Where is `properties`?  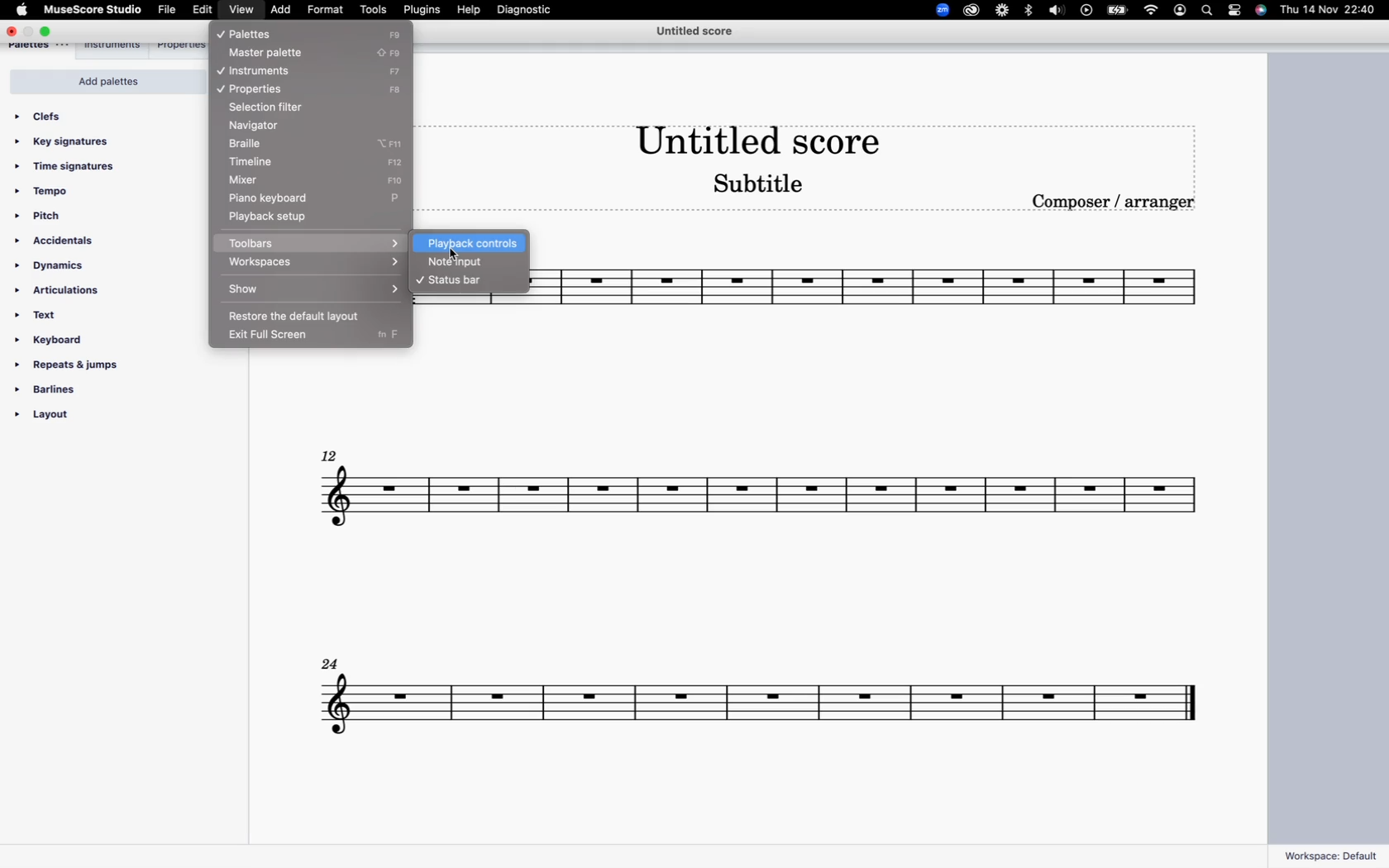 properties is located at coordinates (181, 46).